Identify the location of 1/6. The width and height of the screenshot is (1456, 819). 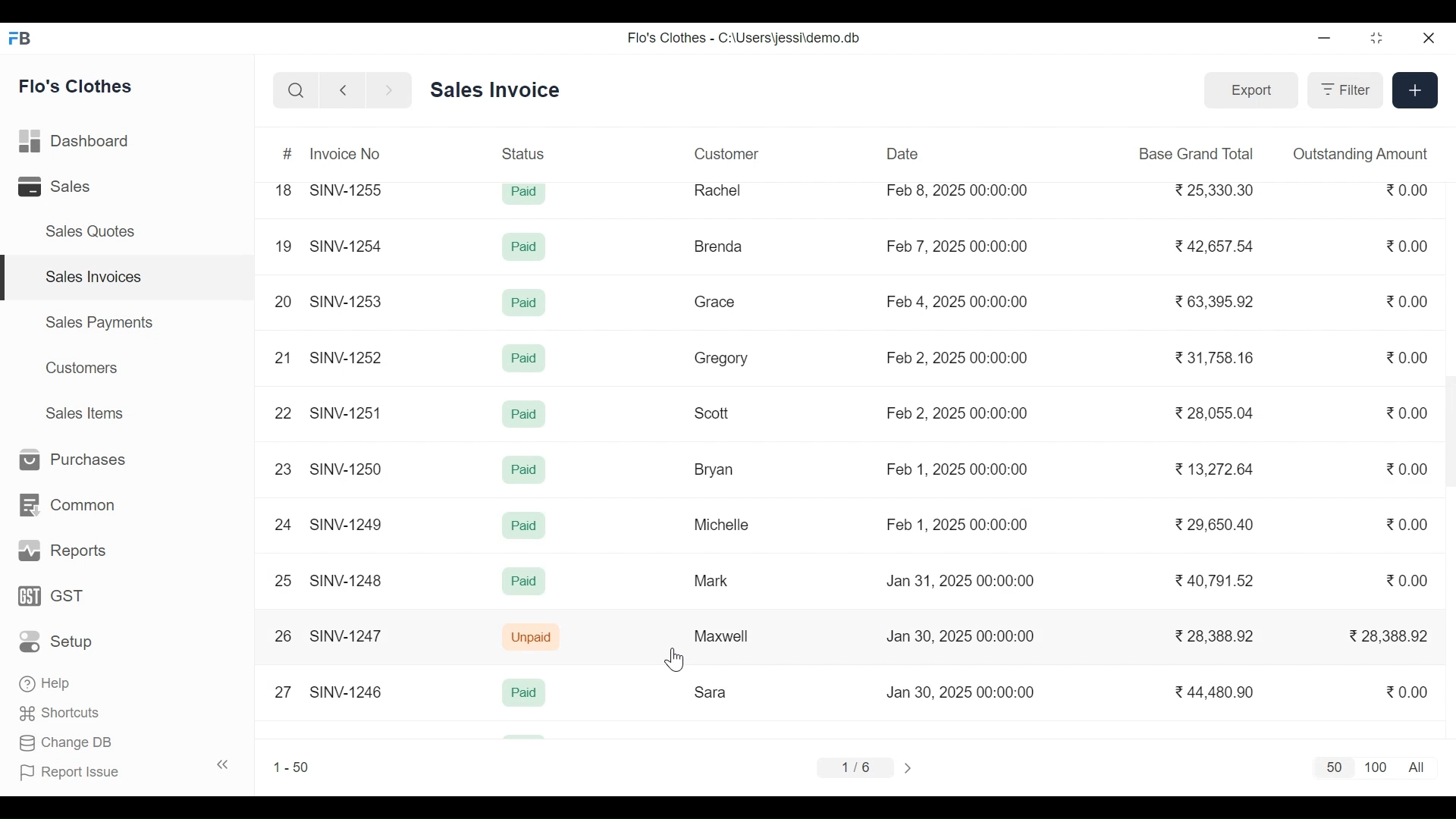
(854, 765).